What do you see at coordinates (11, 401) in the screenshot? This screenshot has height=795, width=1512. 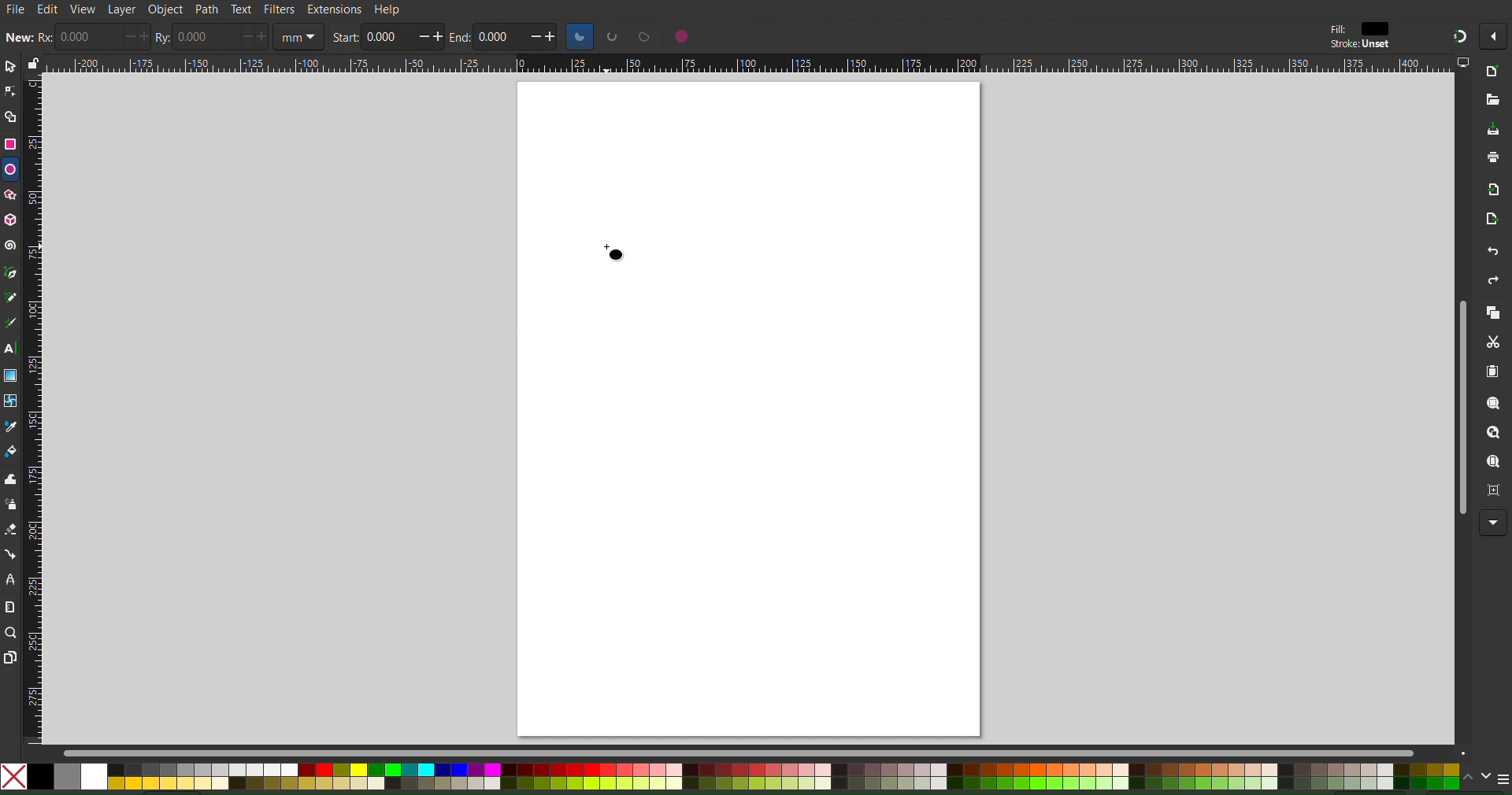 I see `Mesh Tool` at bounding box center [11, 401].